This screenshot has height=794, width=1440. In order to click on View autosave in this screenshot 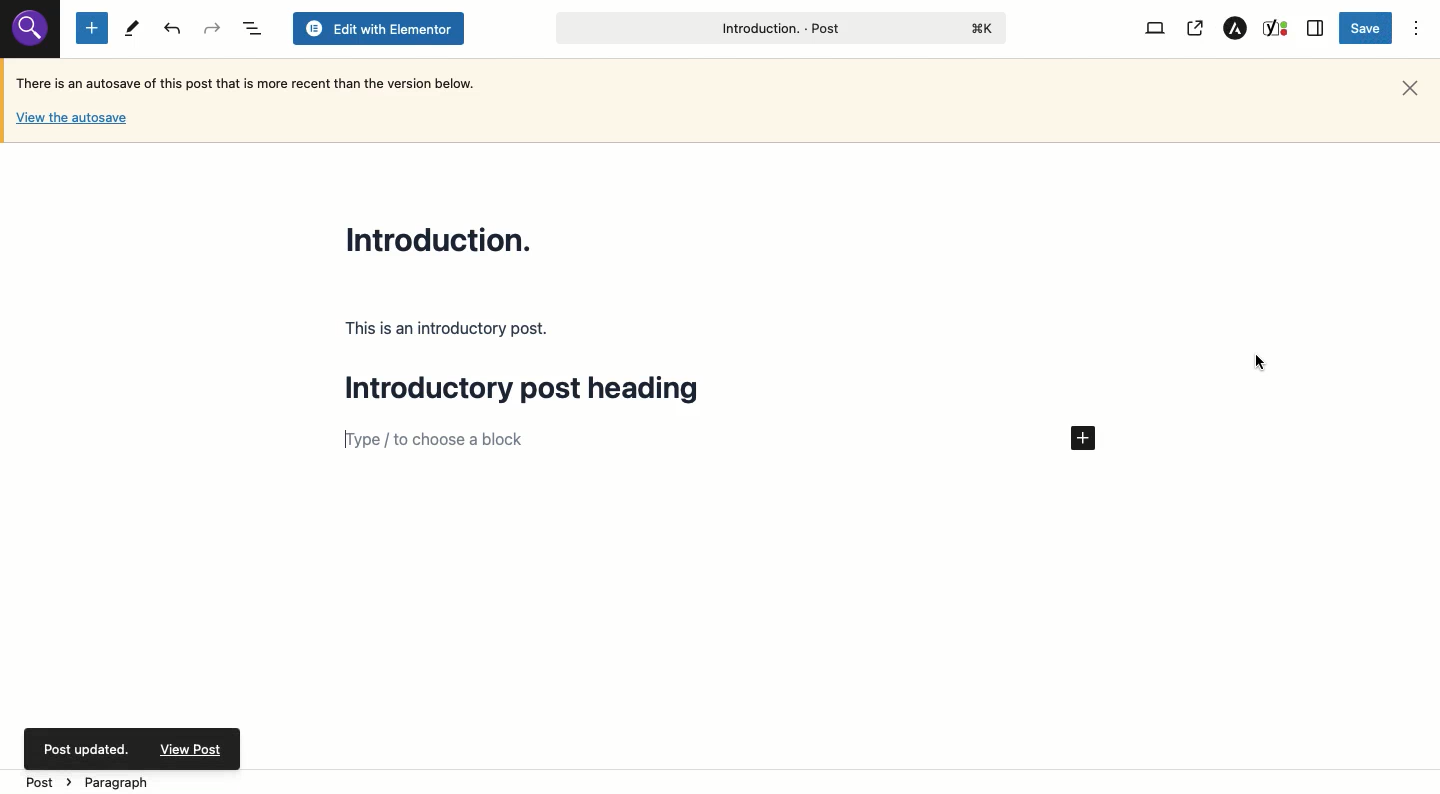, I will do `click(71, 121)`.